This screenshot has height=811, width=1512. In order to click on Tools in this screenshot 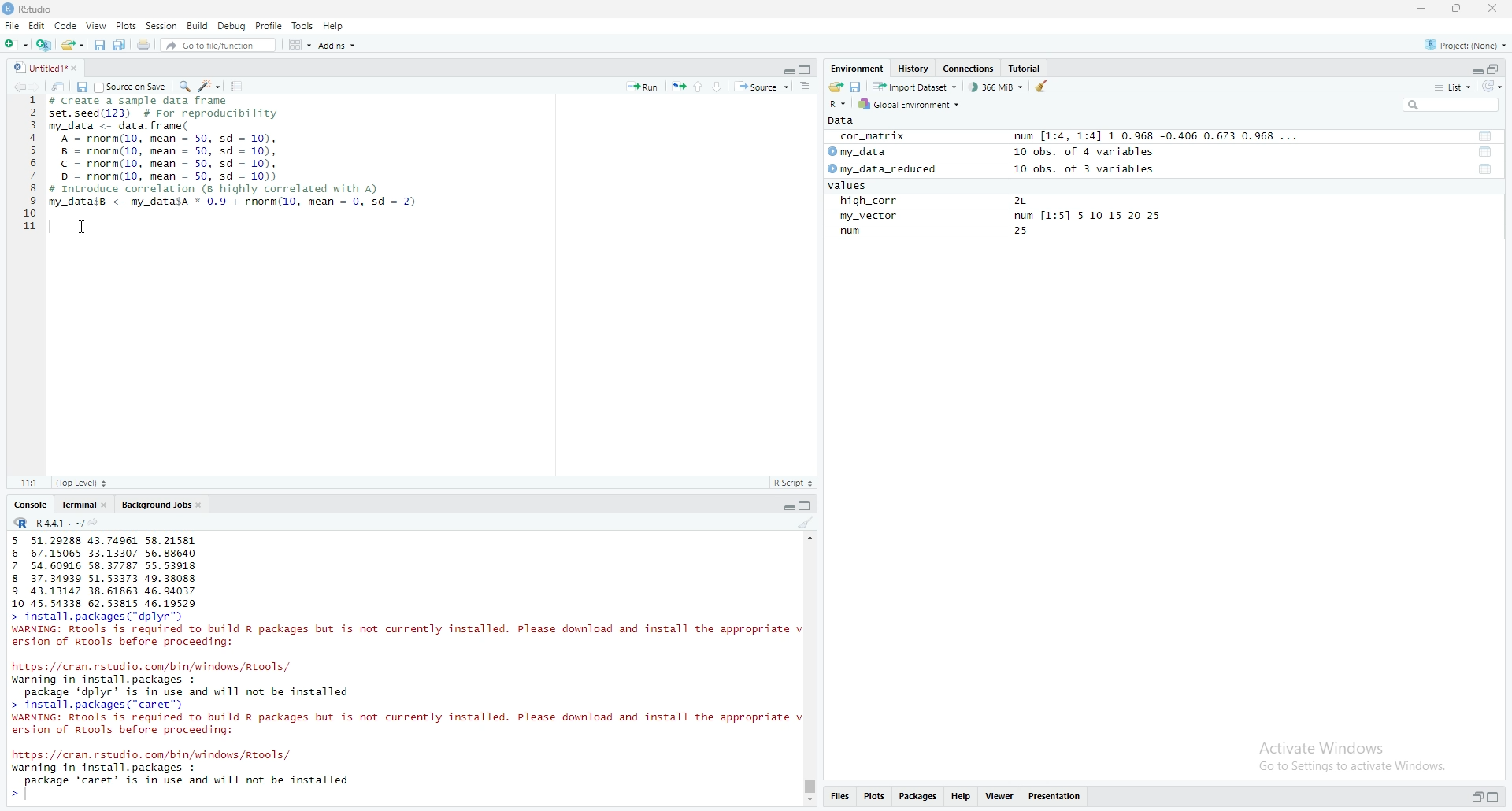, I will do `click(304, 25)`.